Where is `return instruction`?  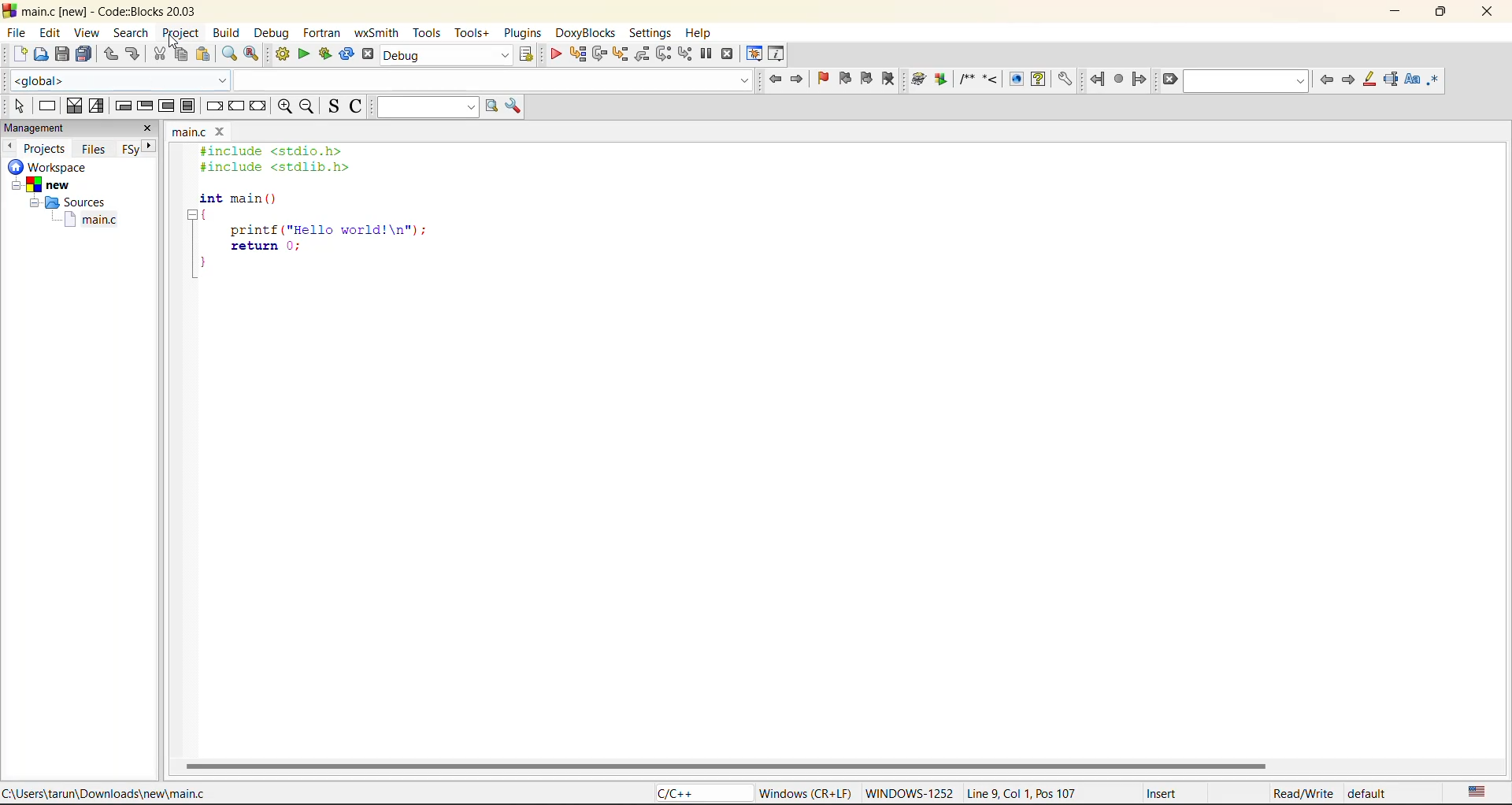
return instruction is located at coordinates (259, 108).